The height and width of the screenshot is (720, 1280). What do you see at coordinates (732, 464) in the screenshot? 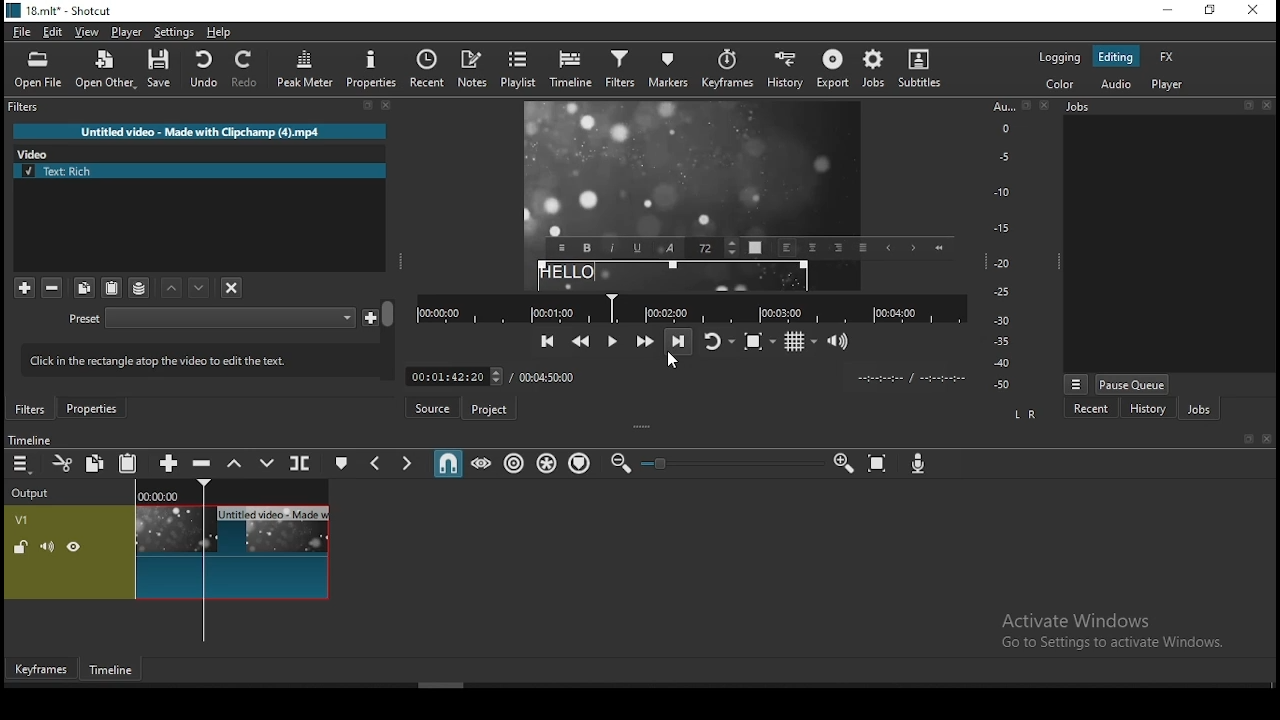
I see `Zoom Slider` at bounding box center [732, 464].